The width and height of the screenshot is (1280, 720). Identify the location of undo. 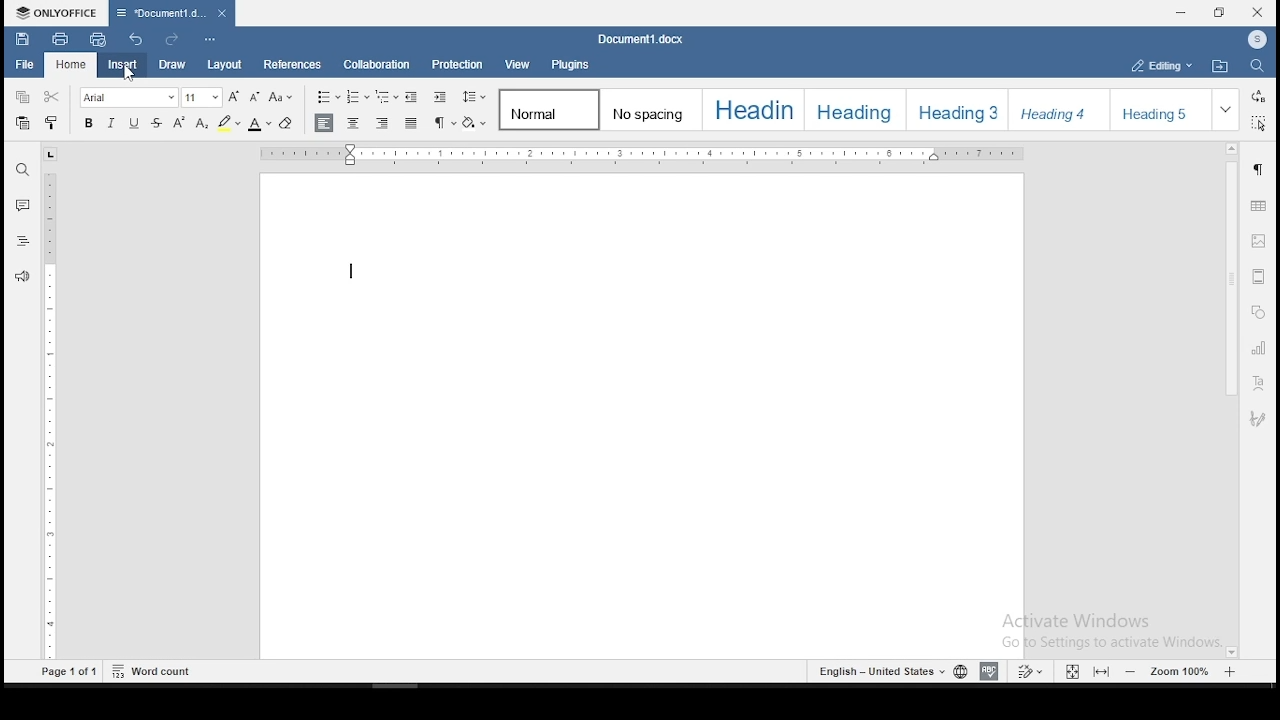
(139, 41).